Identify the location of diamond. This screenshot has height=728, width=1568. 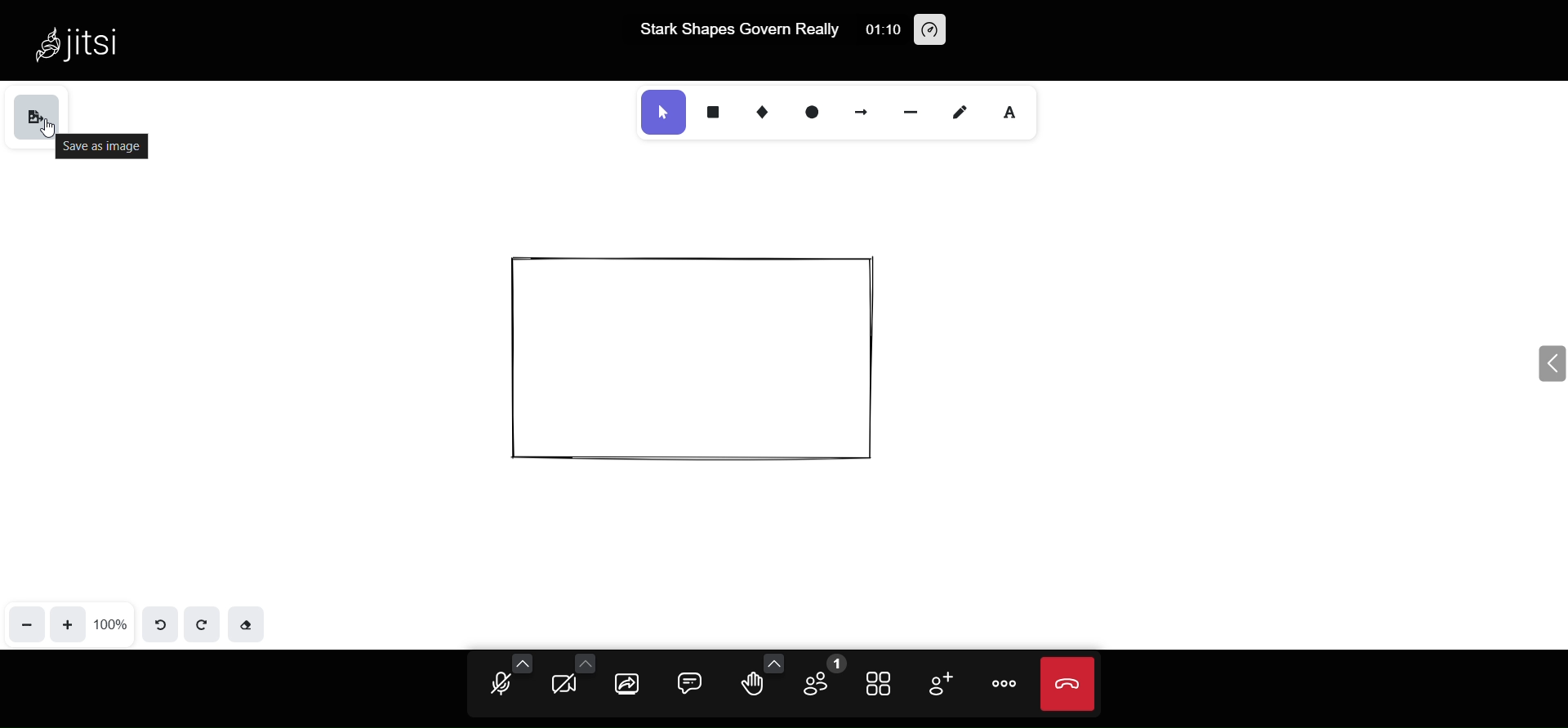
(765, 113).